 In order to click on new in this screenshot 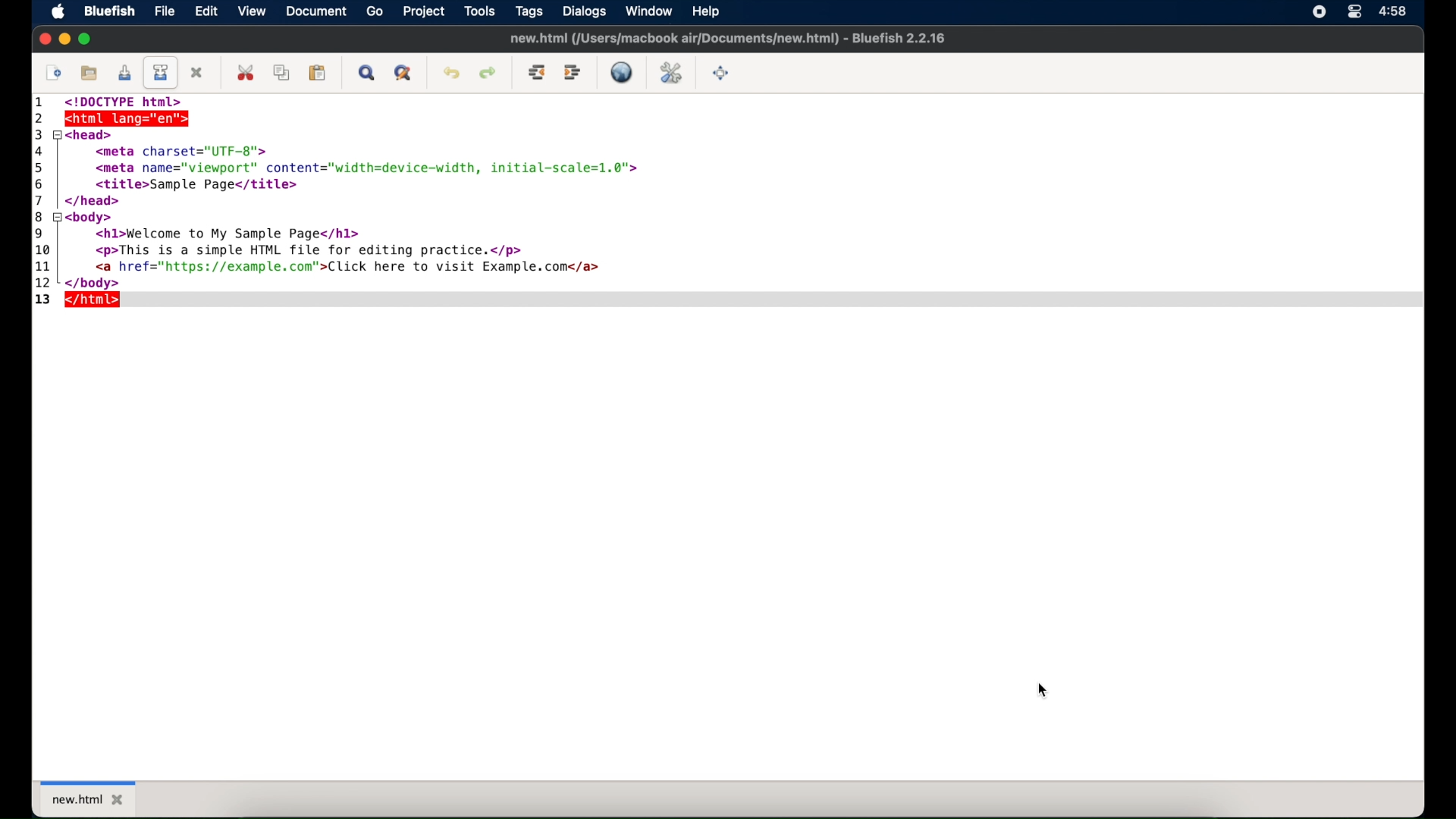, I will do `click(54, 74)`.